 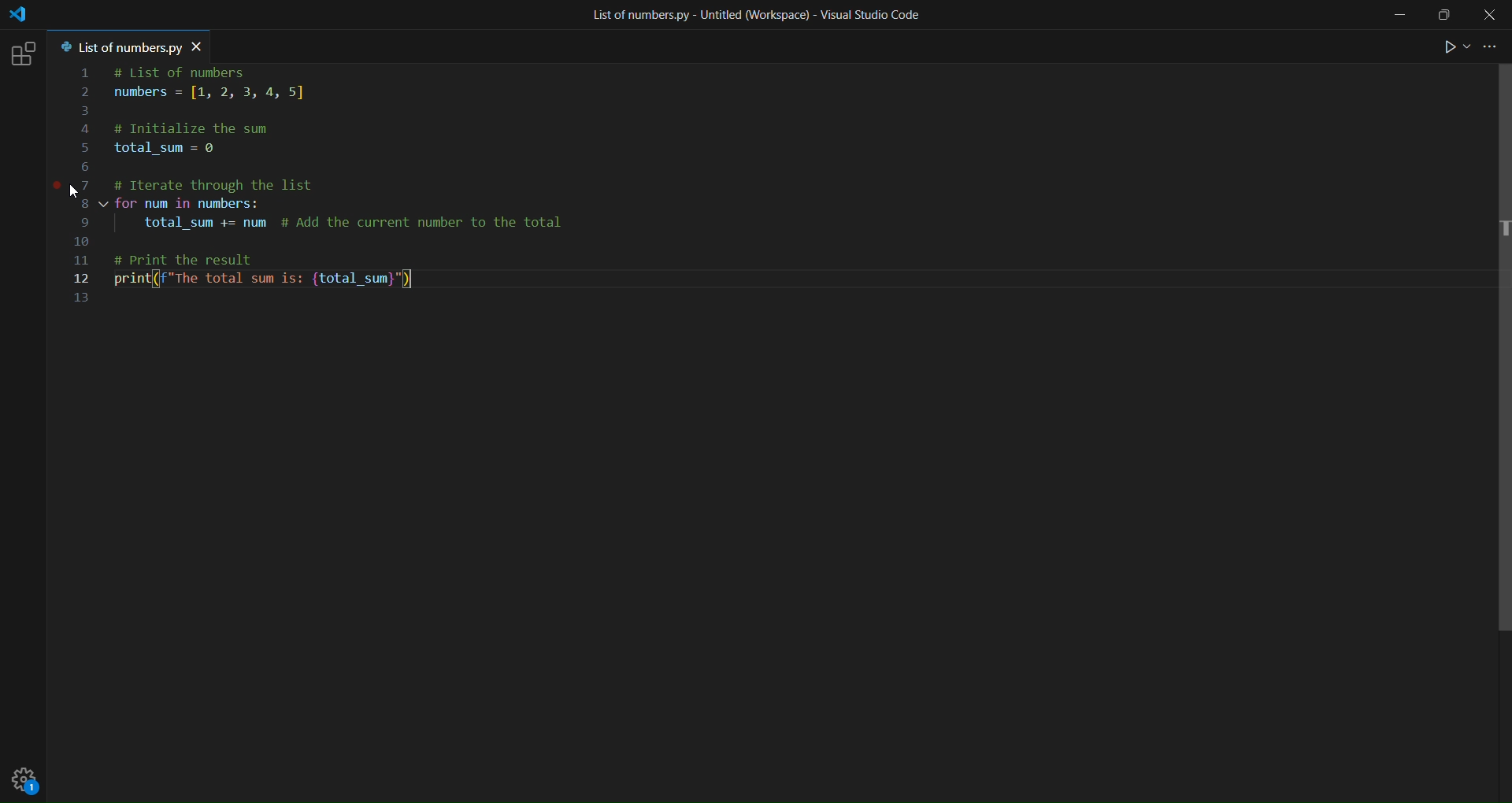 I want to click on setting, so click(x=29, y=778).